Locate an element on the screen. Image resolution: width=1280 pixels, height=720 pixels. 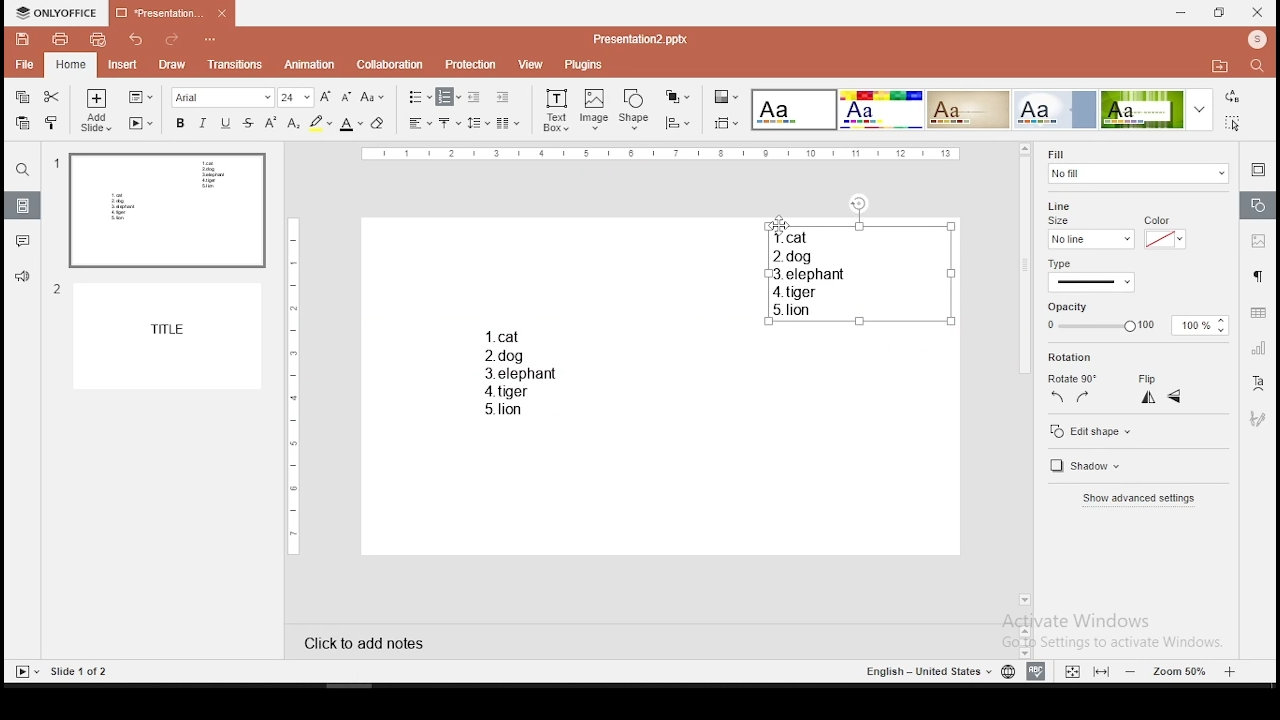
flip vertical is located at coordinates (1147, 398).